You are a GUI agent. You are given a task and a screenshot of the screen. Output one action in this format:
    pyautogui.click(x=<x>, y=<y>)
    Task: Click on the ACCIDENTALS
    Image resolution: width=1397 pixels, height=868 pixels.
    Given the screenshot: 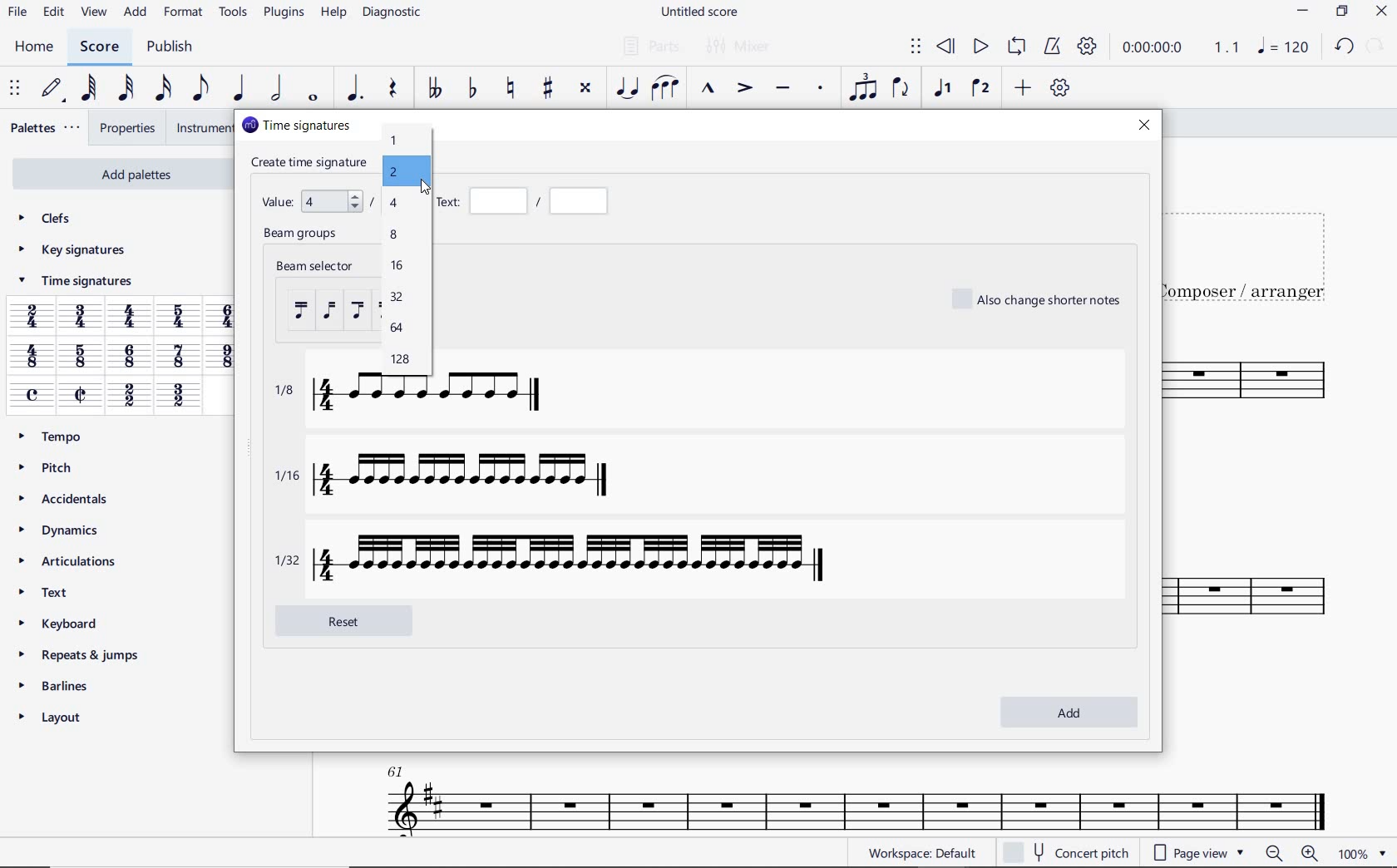 What is the action you would take?
    pyautogui.click(x=65, y=496)
    